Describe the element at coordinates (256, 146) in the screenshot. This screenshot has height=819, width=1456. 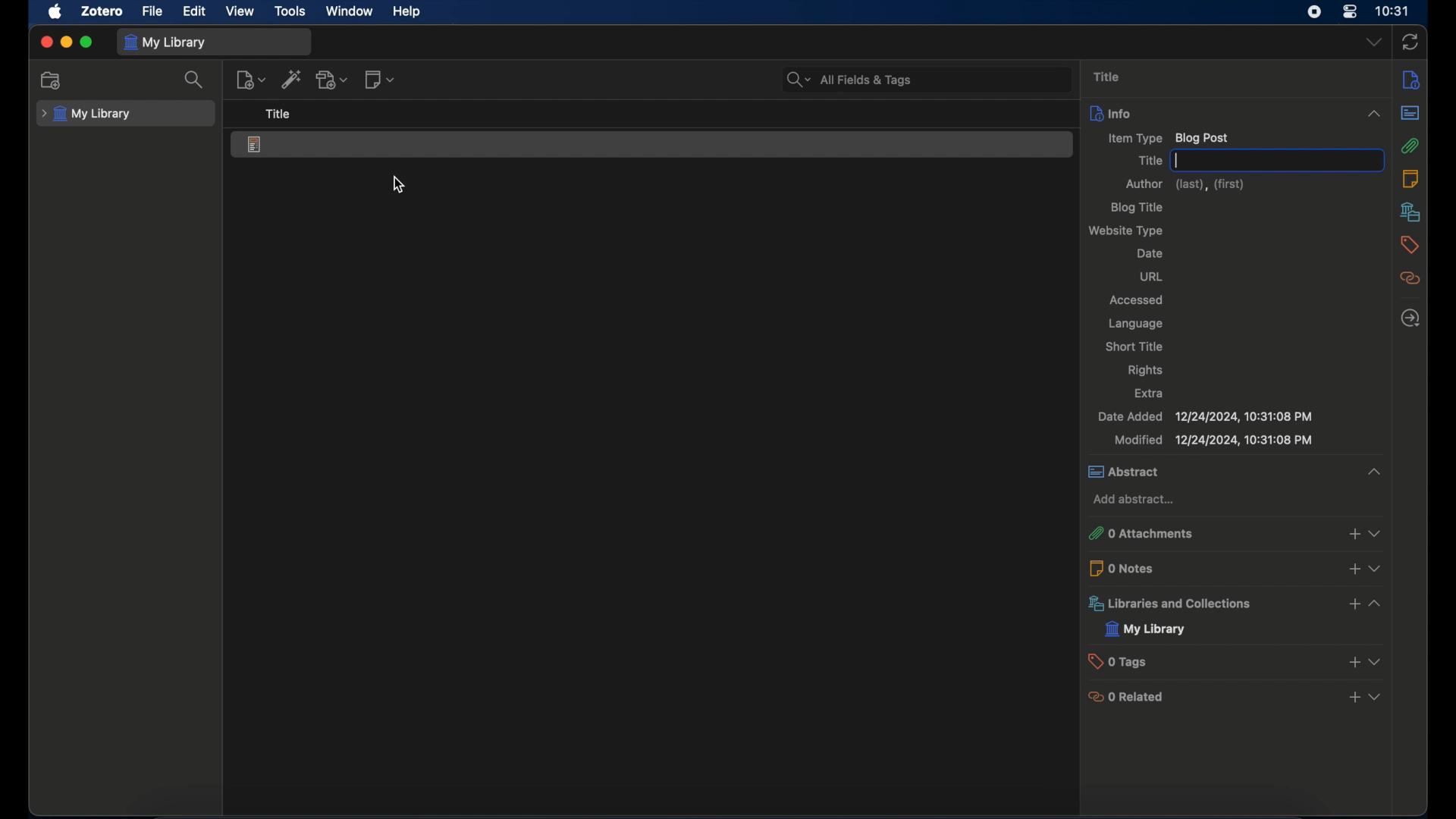
I see `blogpost` at that location.